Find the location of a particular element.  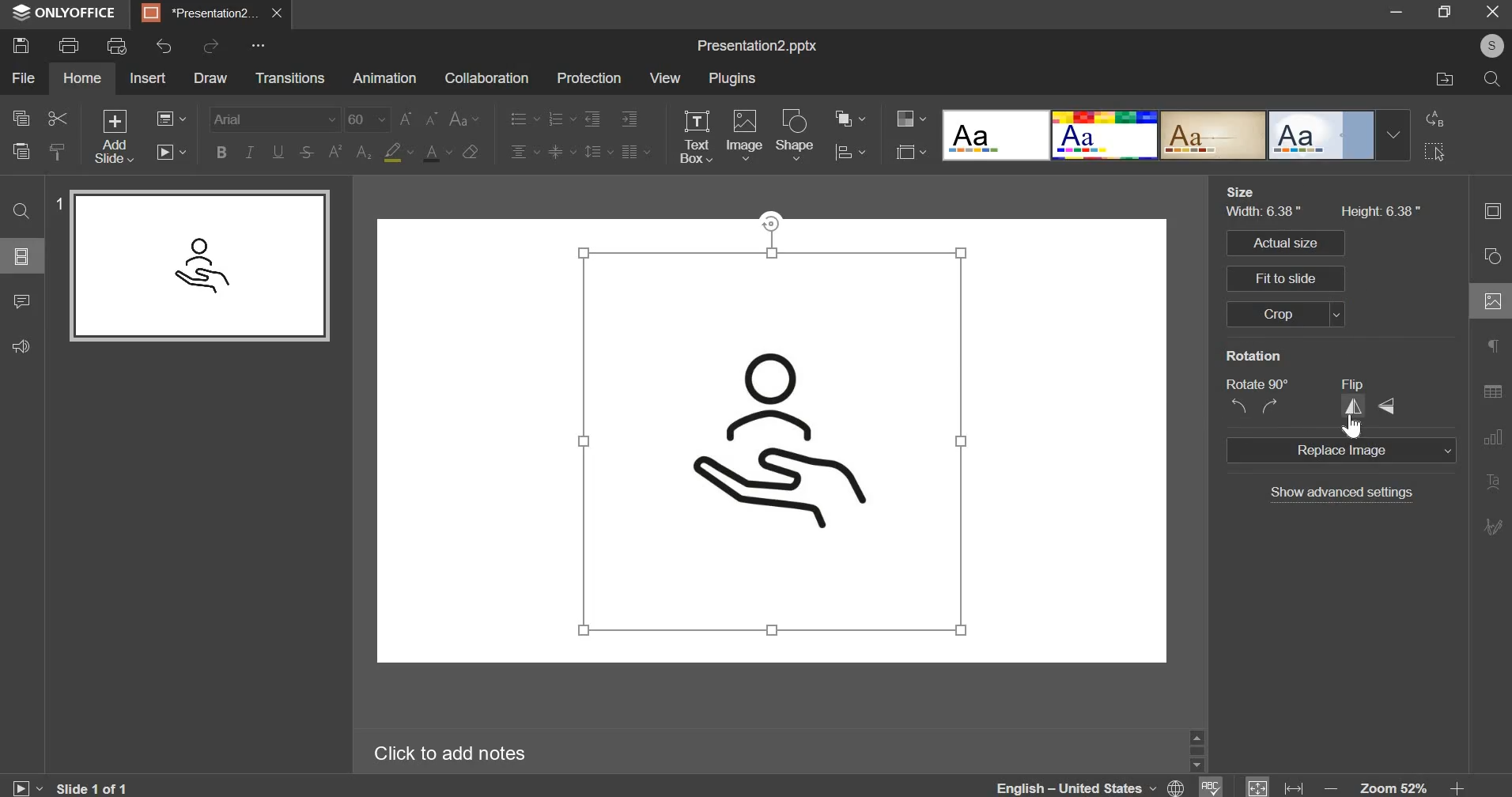

clear style is located at coordinates (470, 151).